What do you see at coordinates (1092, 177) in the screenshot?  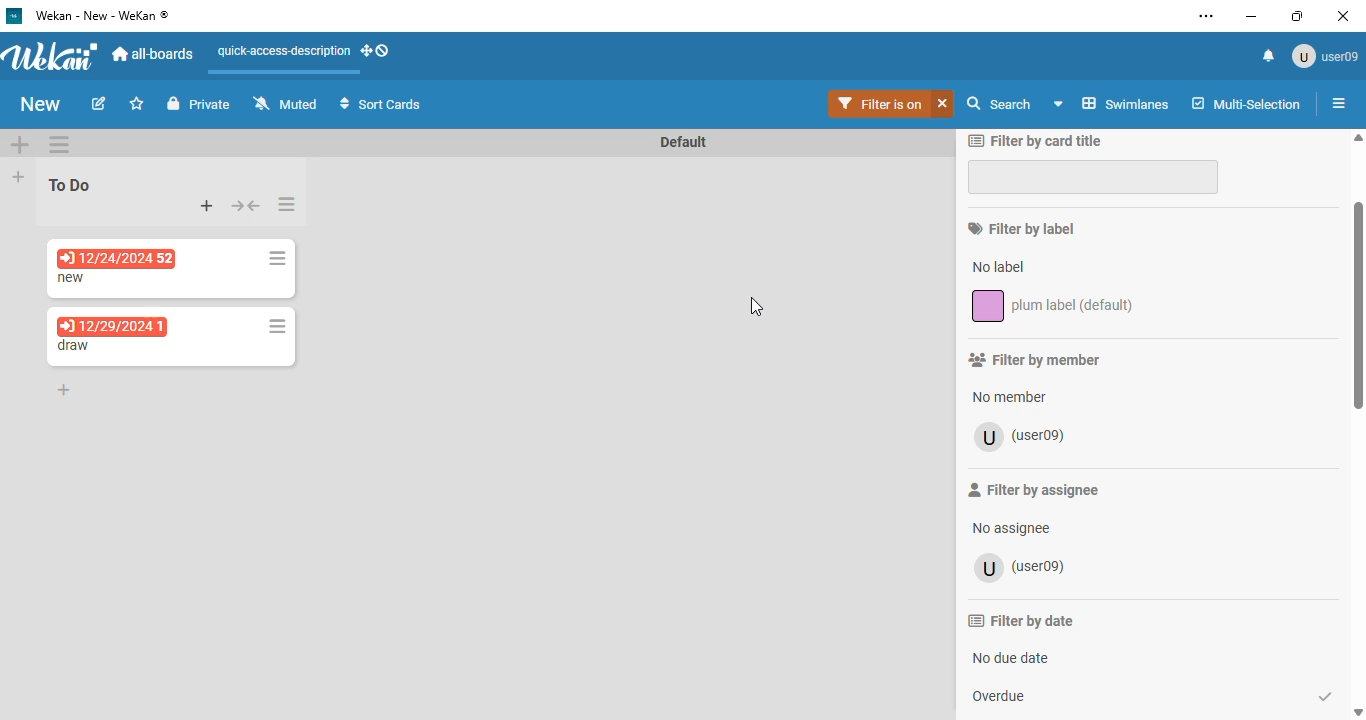 I see `filter by card title input box` at bounding box center [1092, 177].